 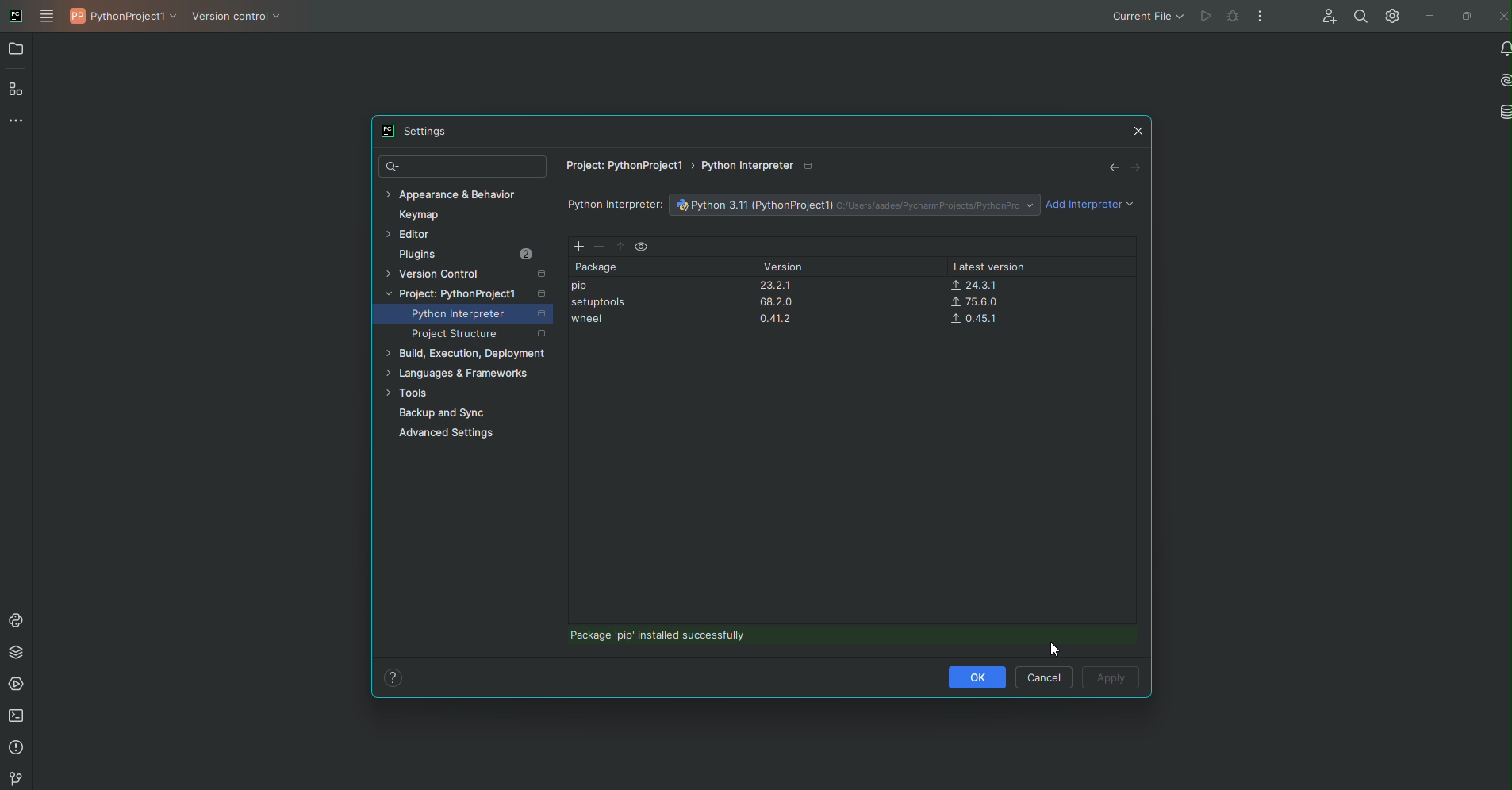 What do you see at coordinates (1501, 15) in the screenshot?
I see `Close` at bounding box center [1501, 15].